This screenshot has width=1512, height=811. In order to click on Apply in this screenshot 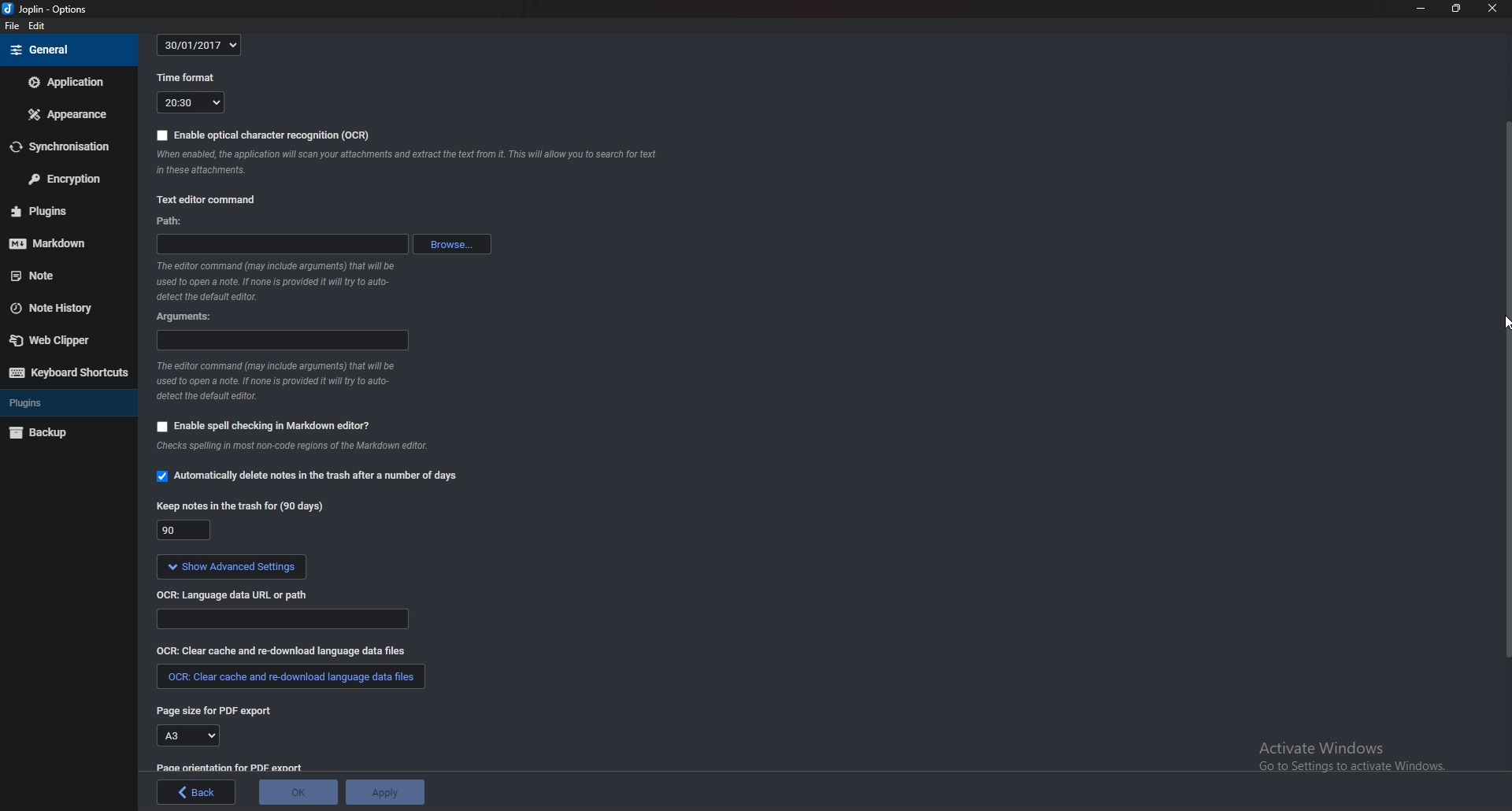, I will do `click(385, 793)`.